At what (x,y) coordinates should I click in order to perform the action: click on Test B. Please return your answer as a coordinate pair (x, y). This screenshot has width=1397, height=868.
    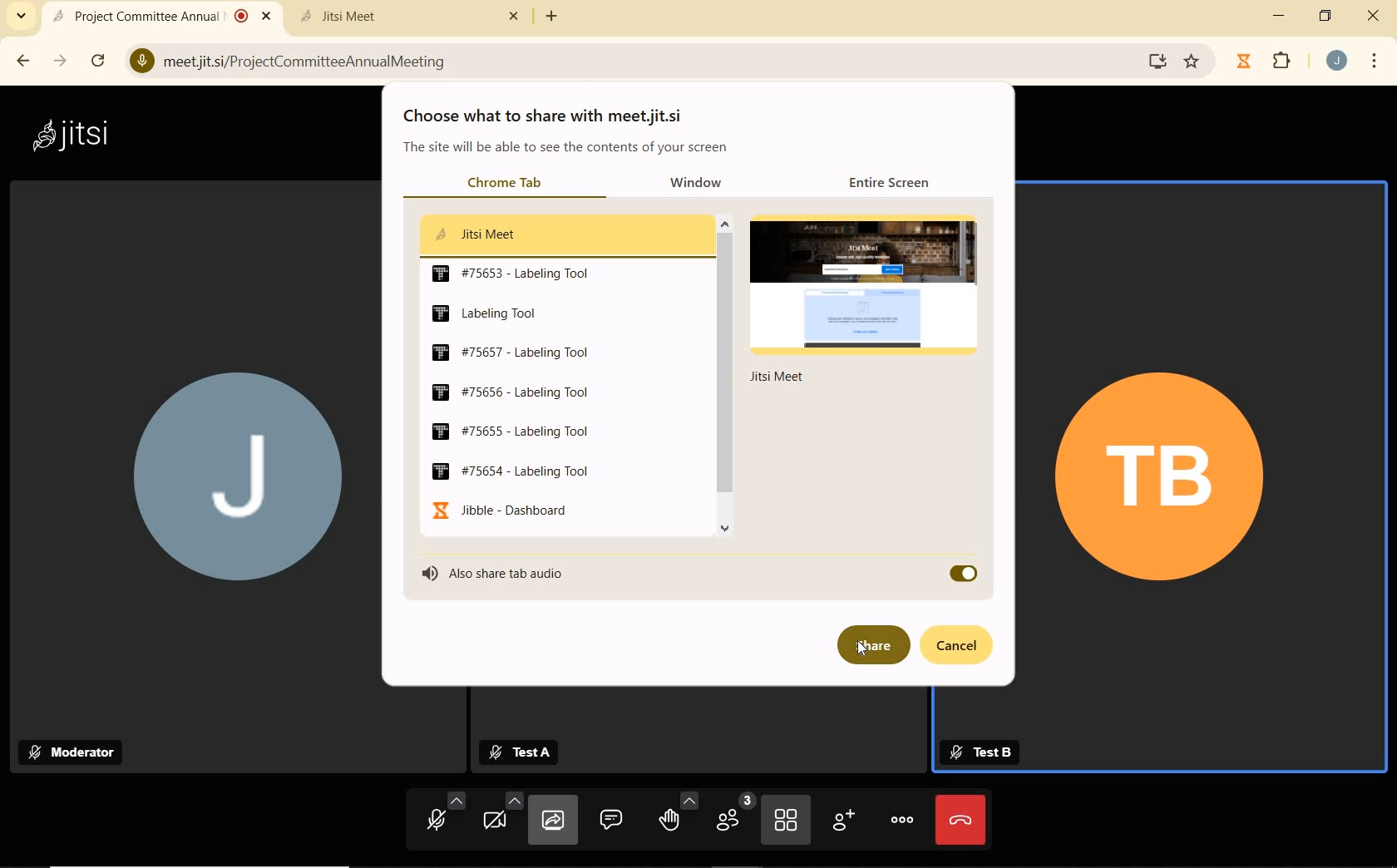
    Looking at the image, I should click on (980, 752).